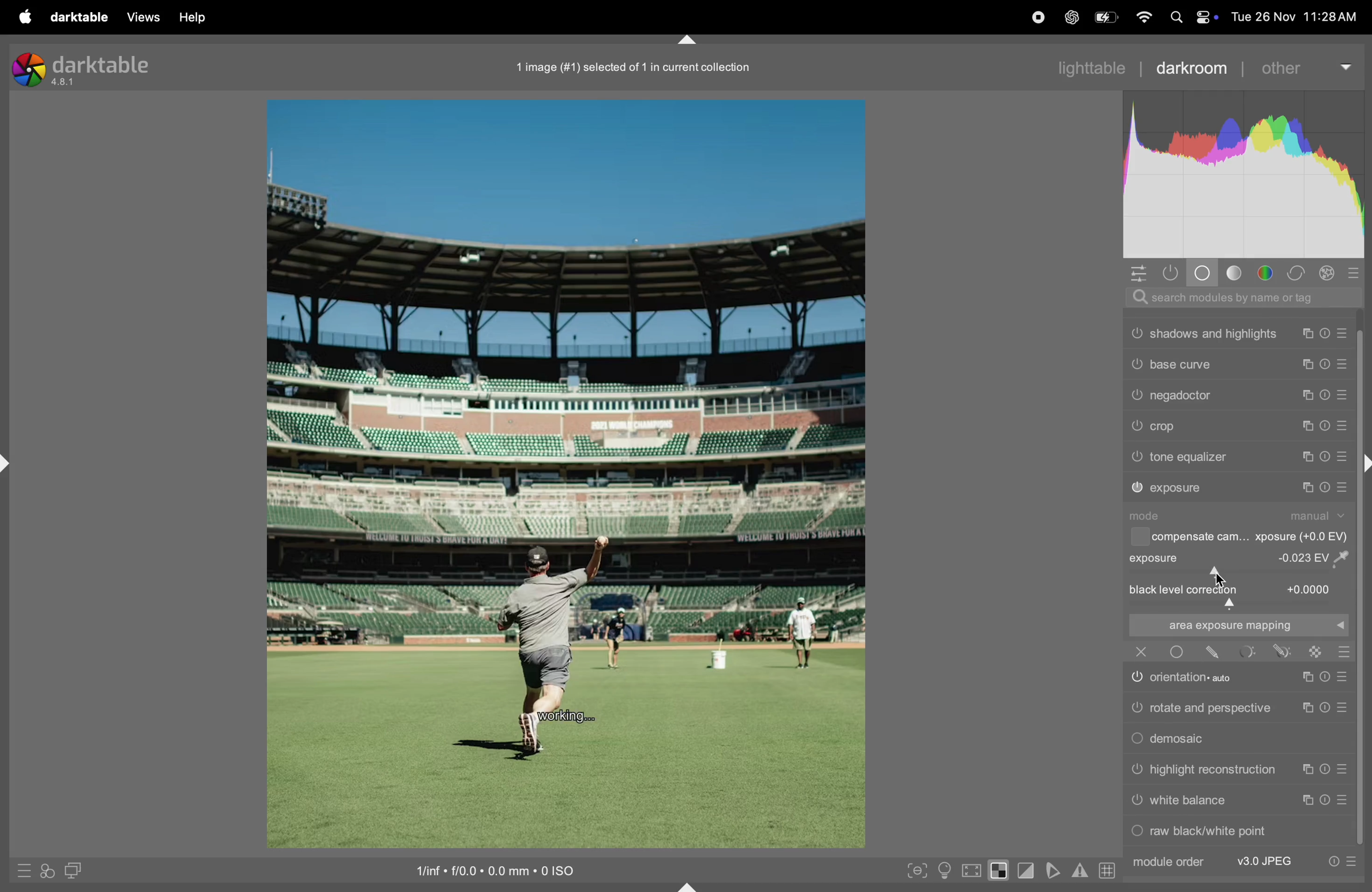 The width and height of the screenshot is (1372, 892). I want to click on toggle high qualiry processing, so click(972, 869).